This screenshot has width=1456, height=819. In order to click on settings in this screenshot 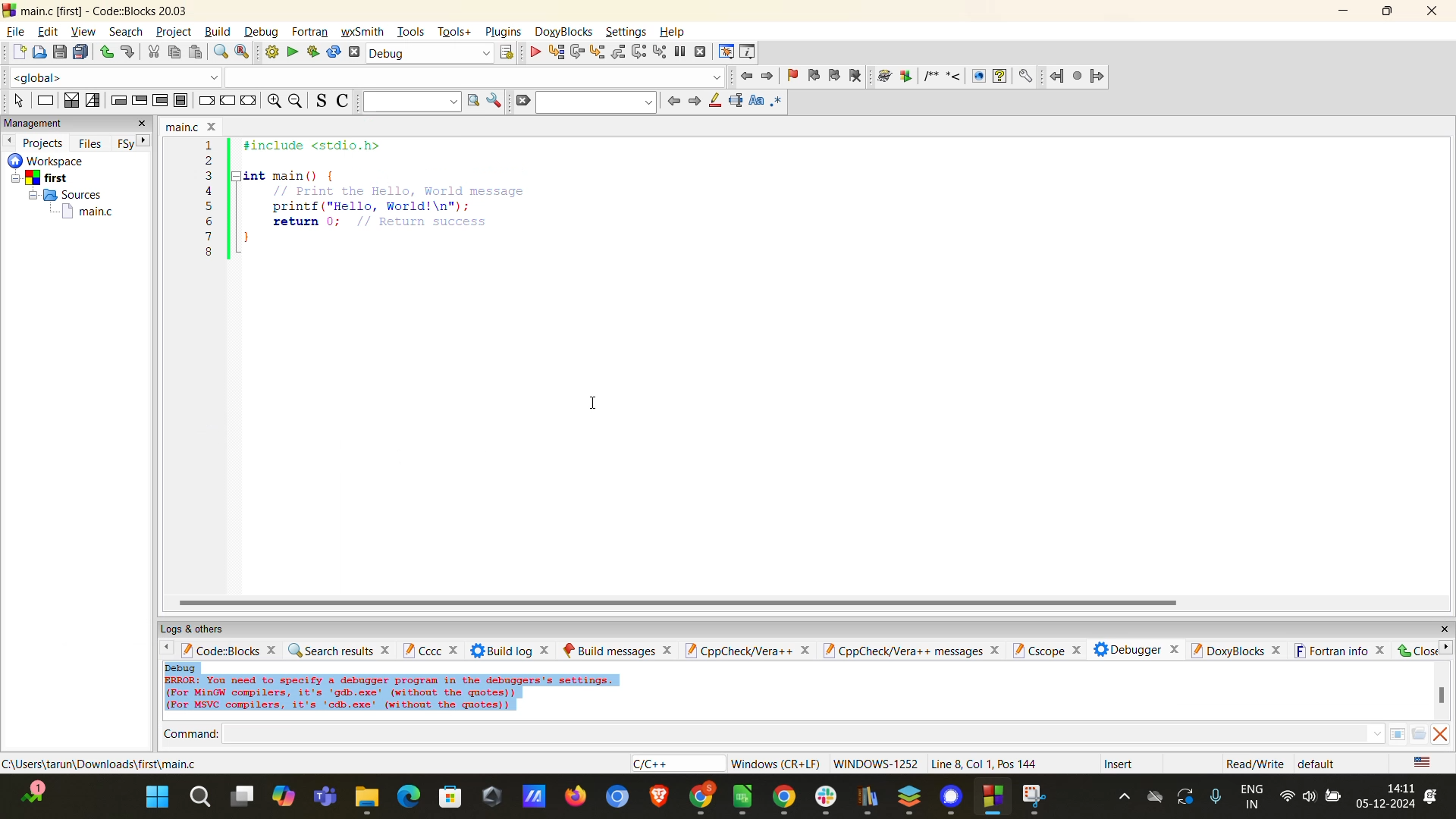, I will do `click(626, 32)`.